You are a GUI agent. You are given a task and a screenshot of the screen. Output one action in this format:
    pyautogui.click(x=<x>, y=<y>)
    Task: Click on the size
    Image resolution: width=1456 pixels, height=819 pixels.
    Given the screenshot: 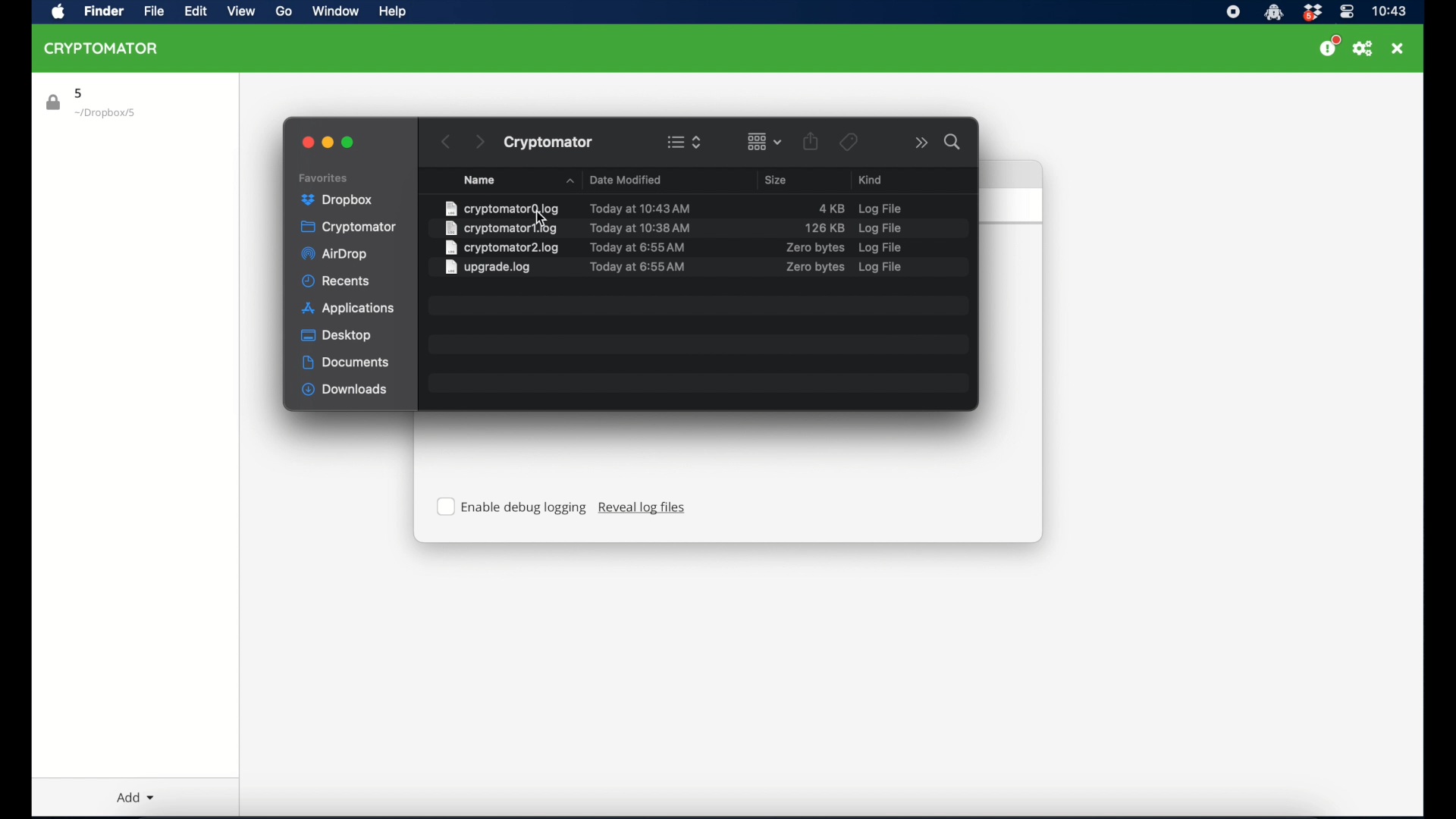 What is the action you would take?
    pyautogui.click(x=824, y=227)
    